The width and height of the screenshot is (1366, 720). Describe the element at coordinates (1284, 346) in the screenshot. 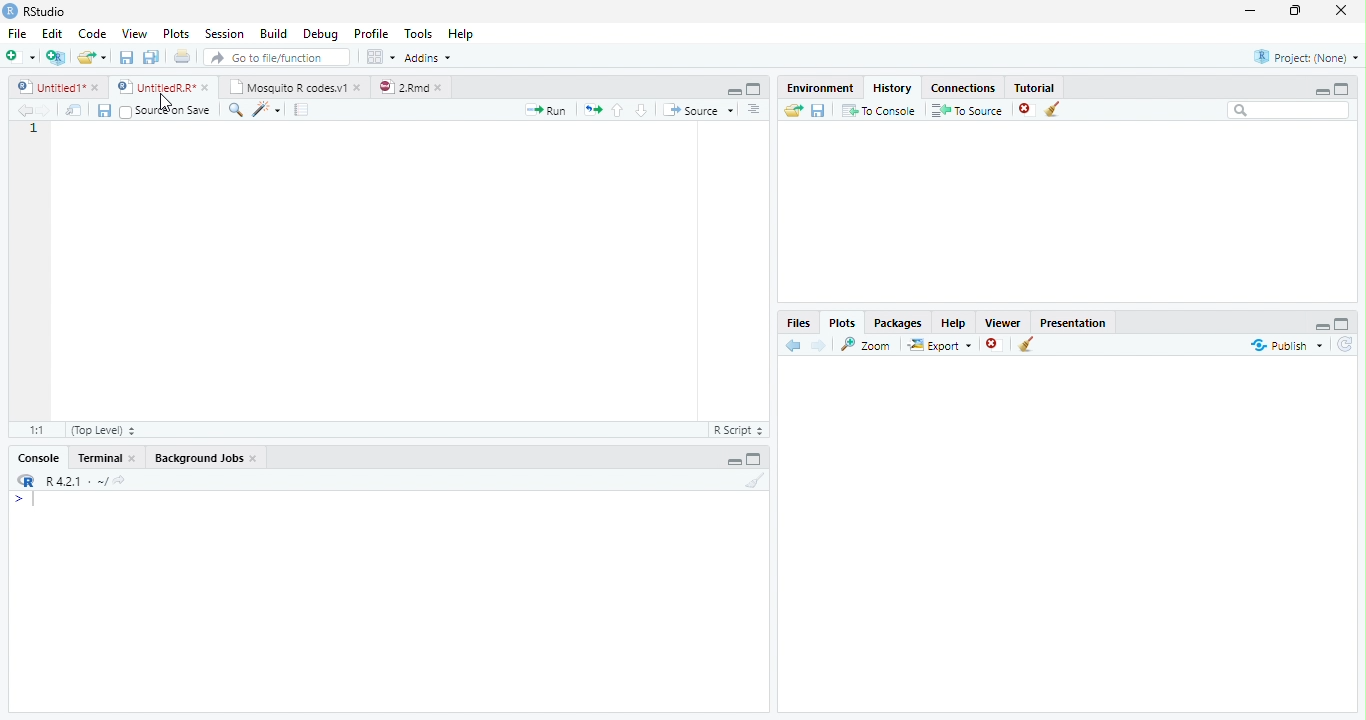

I see `Publish` at that location.